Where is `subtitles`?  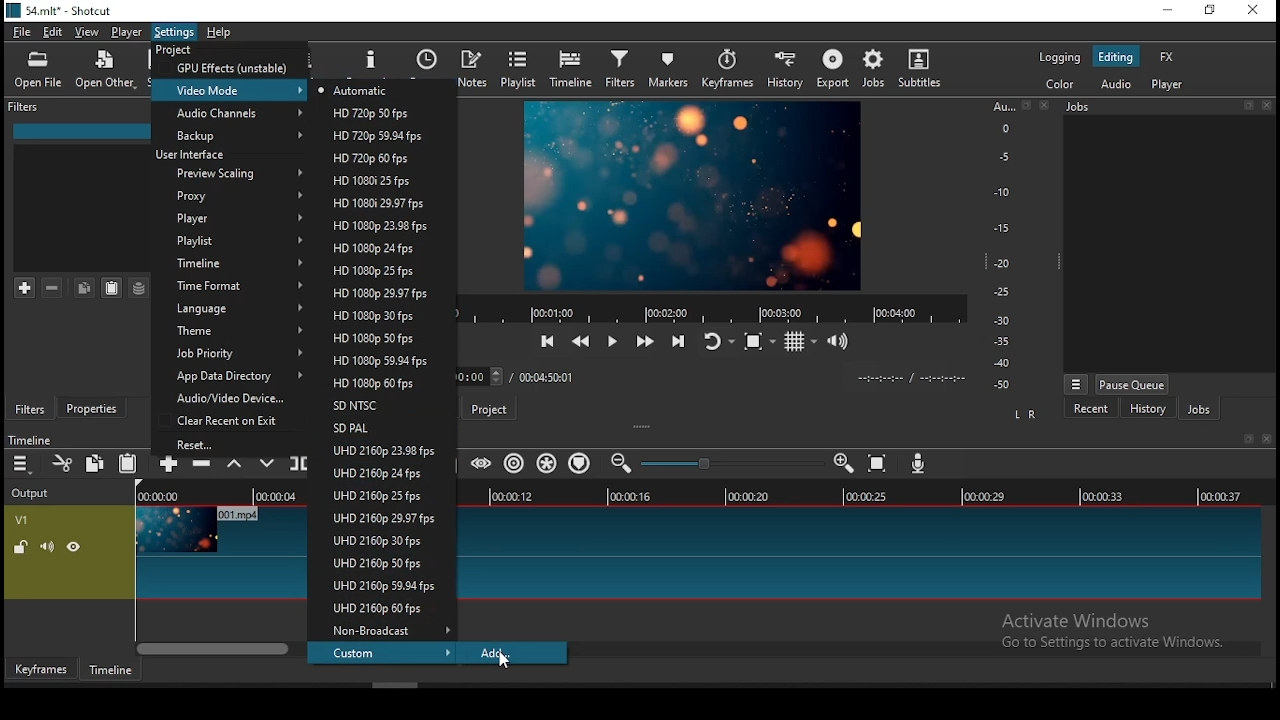
subtitles is located at coordinates (919, 68).